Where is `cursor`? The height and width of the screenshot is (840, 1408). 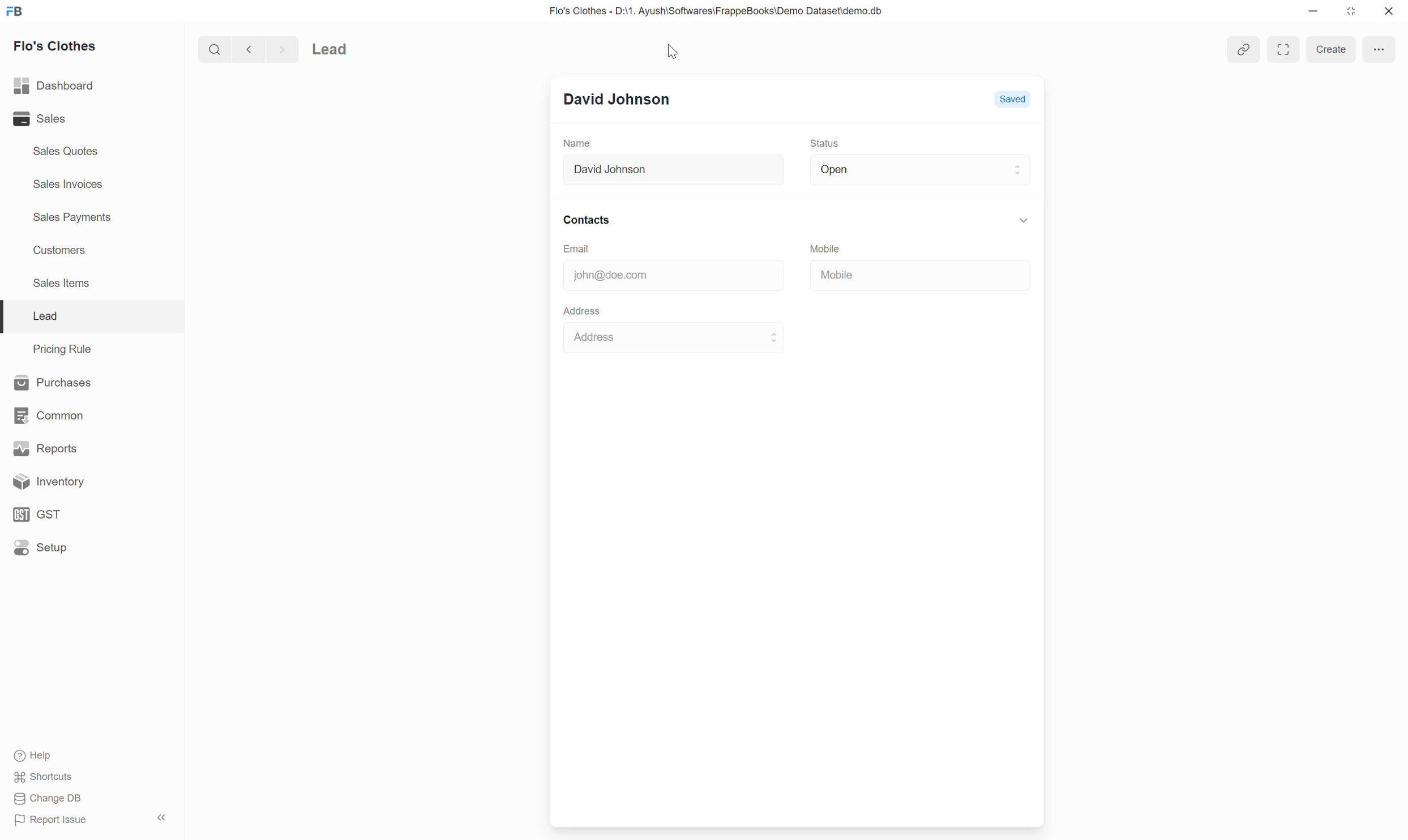 cursor is located at coordinates (675, 49).